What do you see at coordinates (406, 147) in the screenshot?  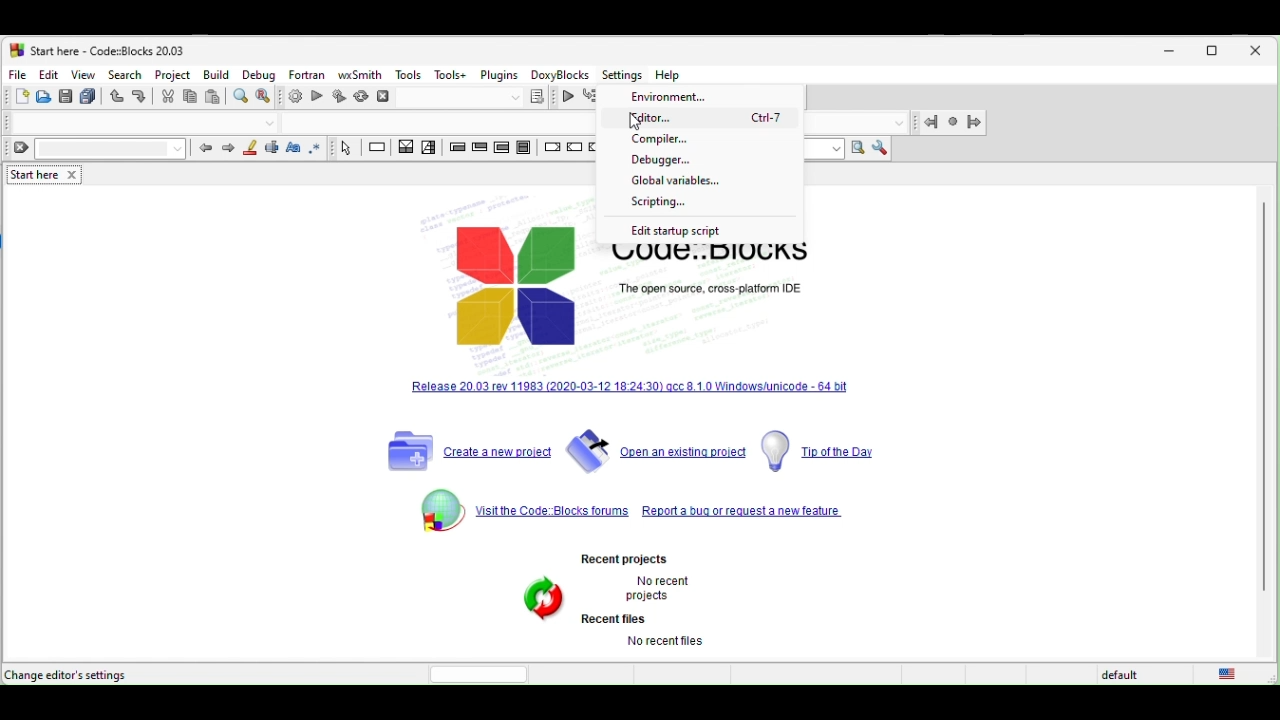 I see `decision` at bounding box center [406, 147].